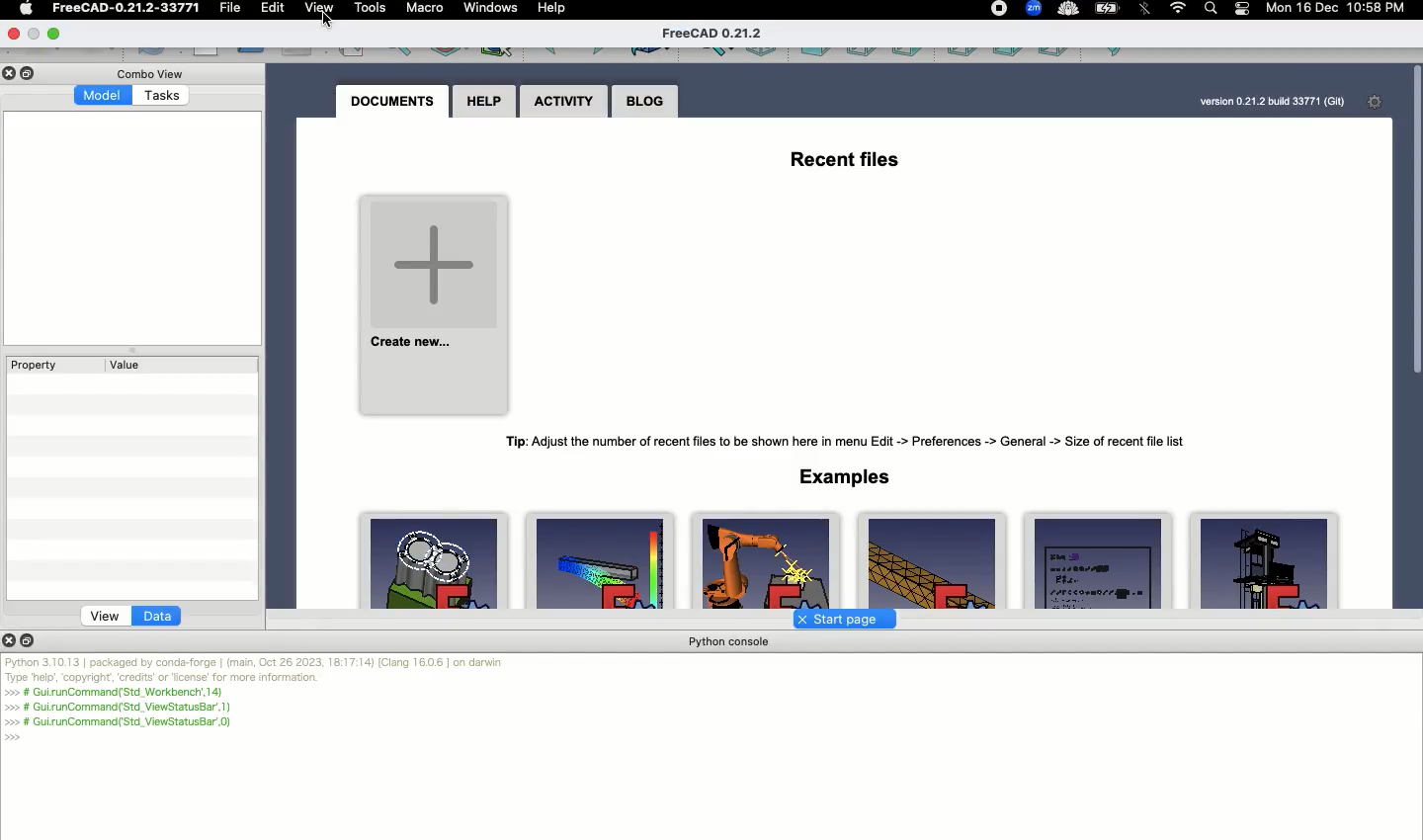 Image resolution: width=1423 pixels, height=840 pixels. I want to click on Tasks, so click(164, 98).